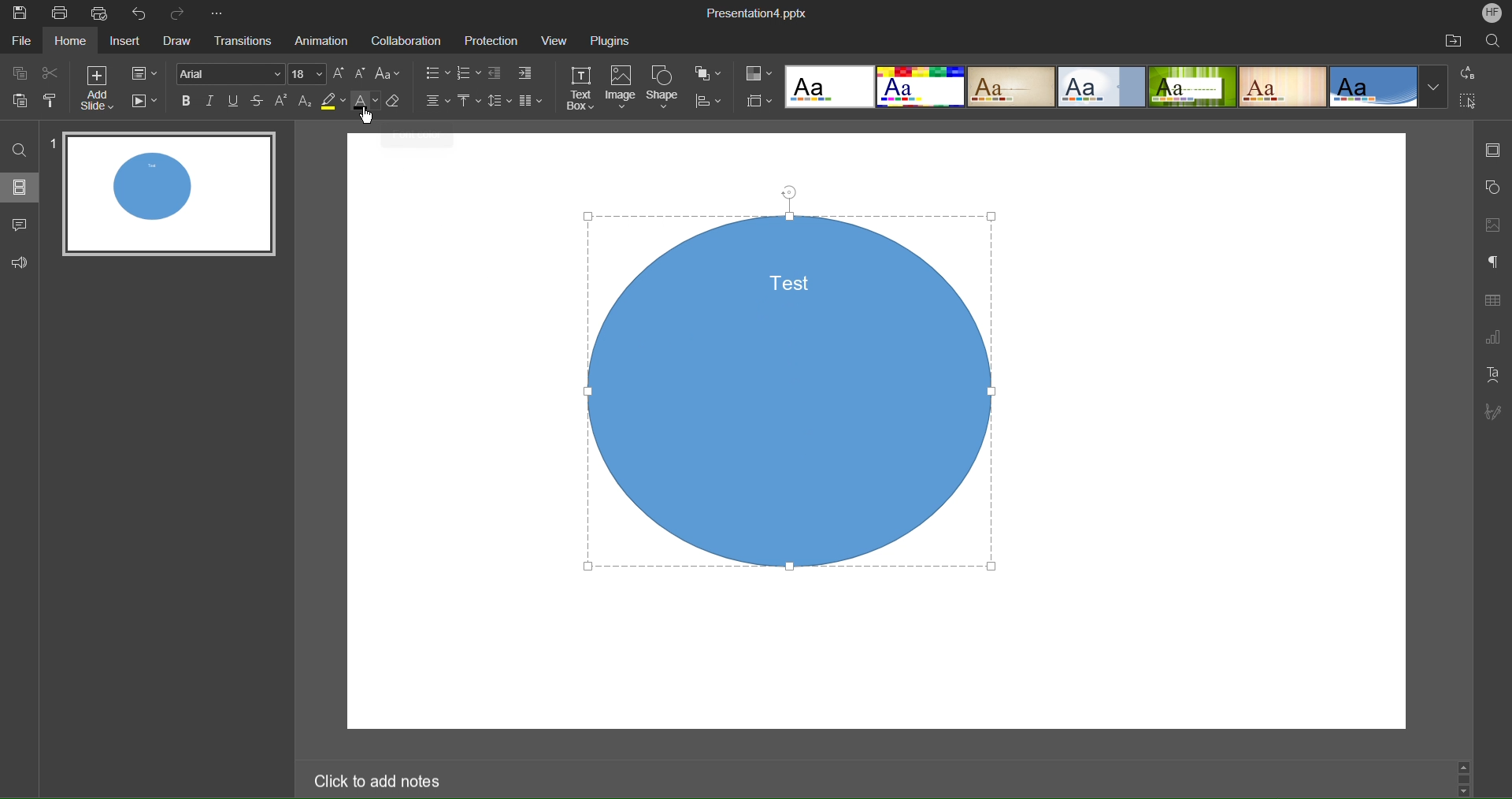 The width and height of the screenshot is (1512, 799). What do you see at coordinates (365, 103) in the screenshot?
I see `Text Color` at bounding box center [365, 103].